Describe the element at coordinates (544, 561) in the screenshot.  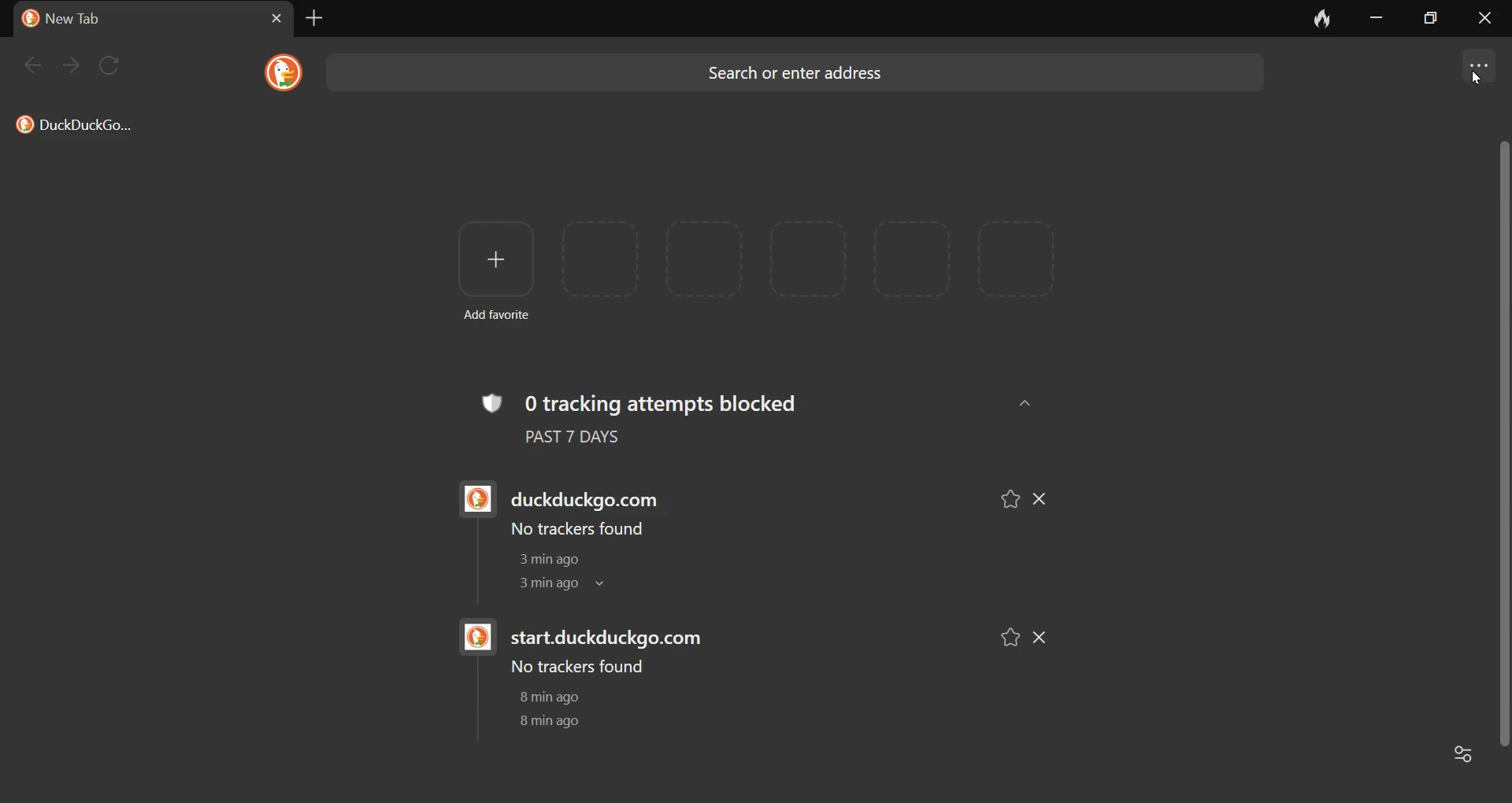
I see `3 min ago` at that location.